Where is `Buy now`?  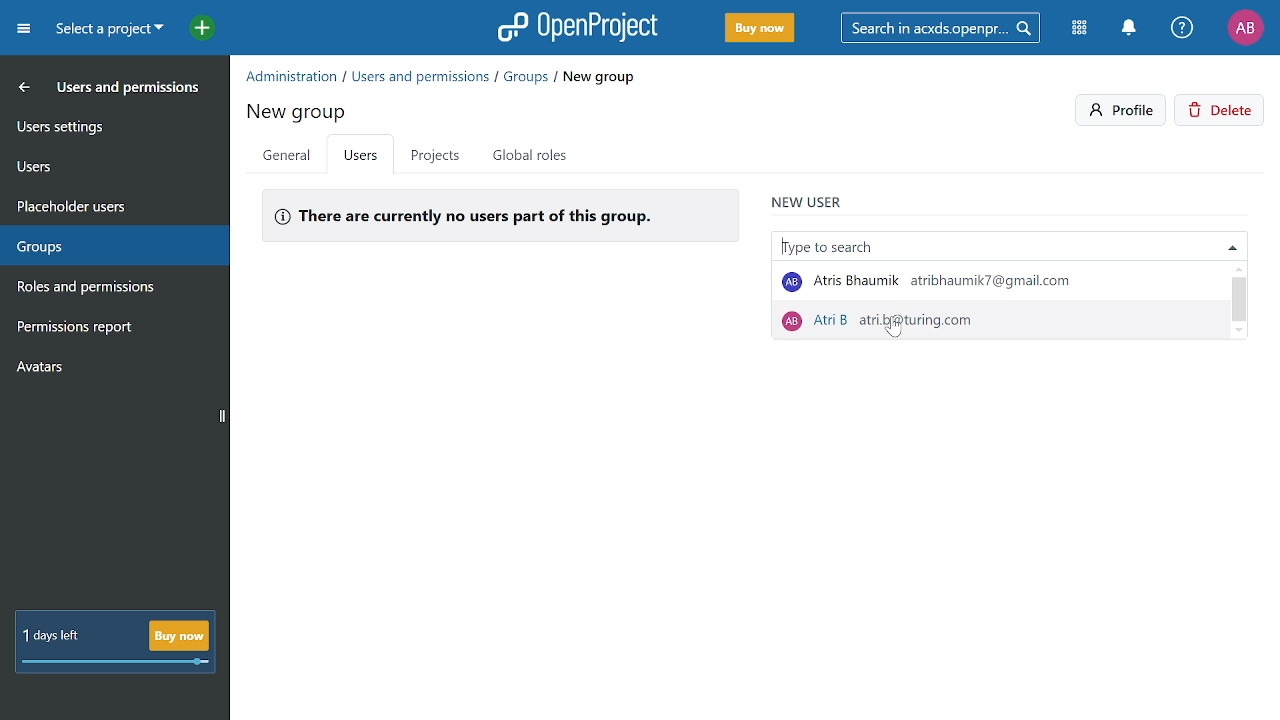 Buy now is located at coordinates (758, 29).